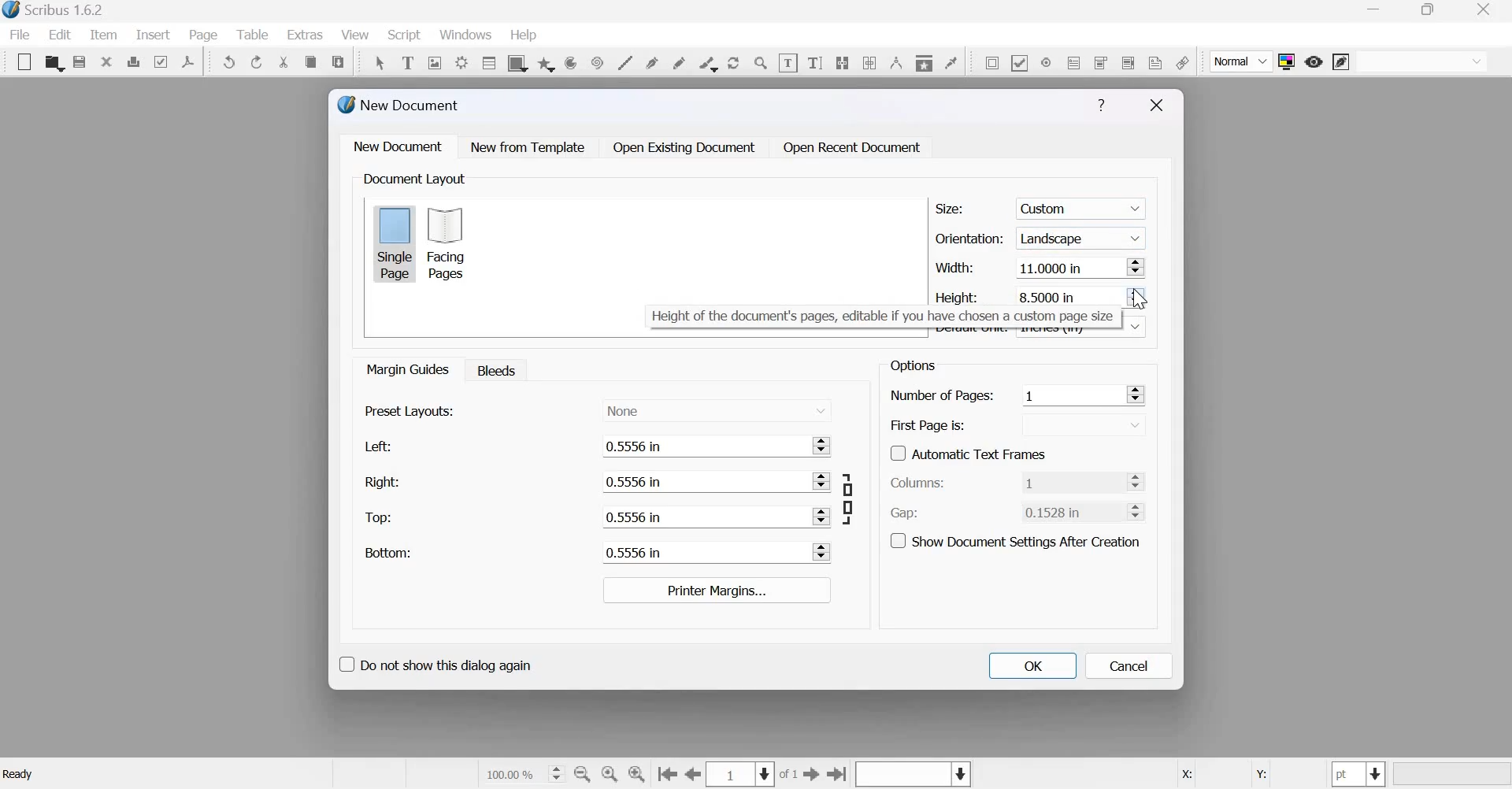 The width and height of the screenshot is (1512, 789). Describe the element at coordinates (667, 775) in the screenshot. I see `Go to the first page` at that location.